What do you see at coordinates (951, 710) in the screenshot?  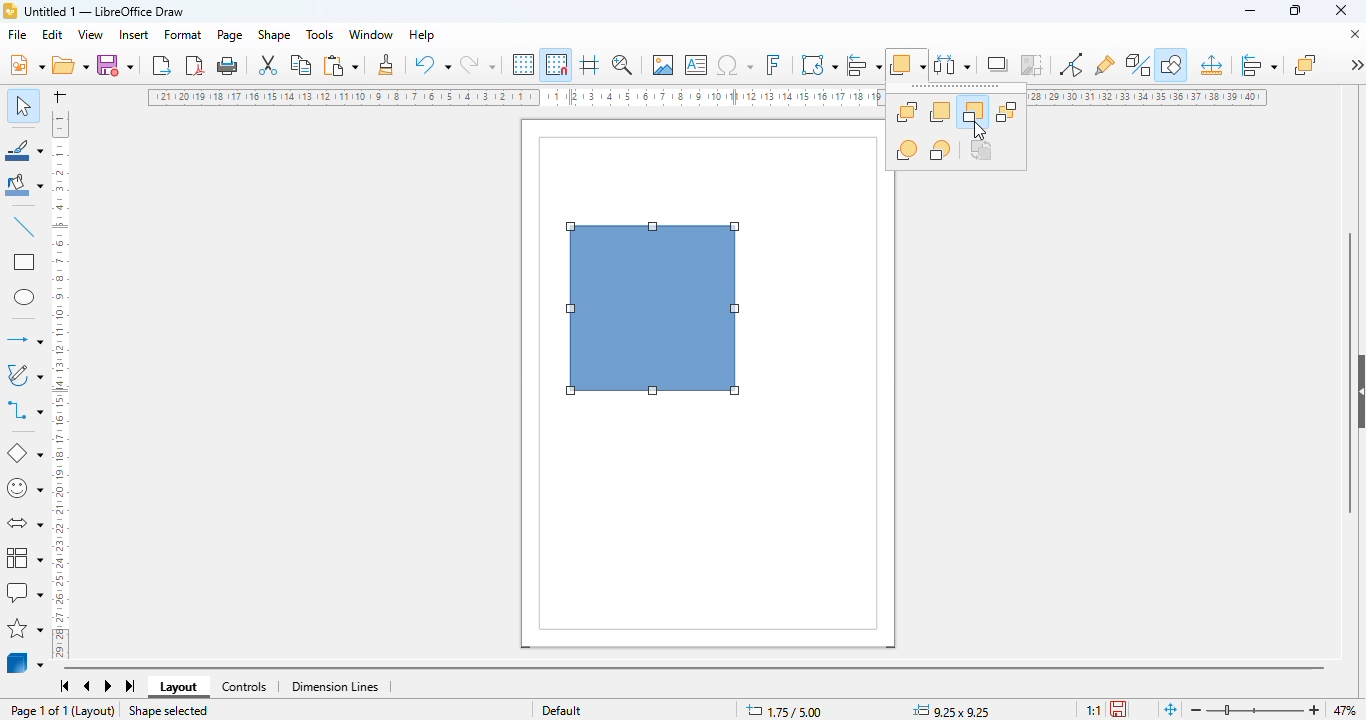 I see `change in width and height of object` at bounding box center [951, 710].